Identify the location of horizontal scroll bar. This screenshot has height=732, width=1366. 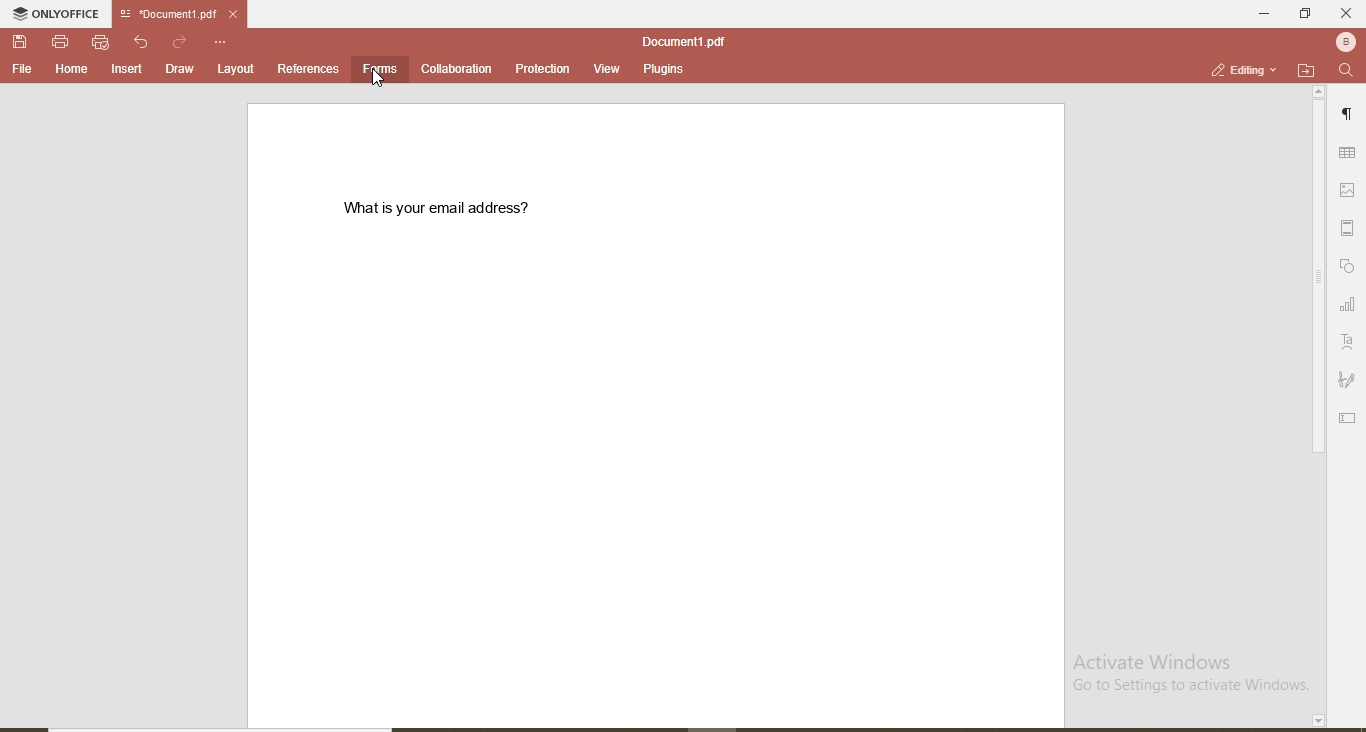
(235, 726).